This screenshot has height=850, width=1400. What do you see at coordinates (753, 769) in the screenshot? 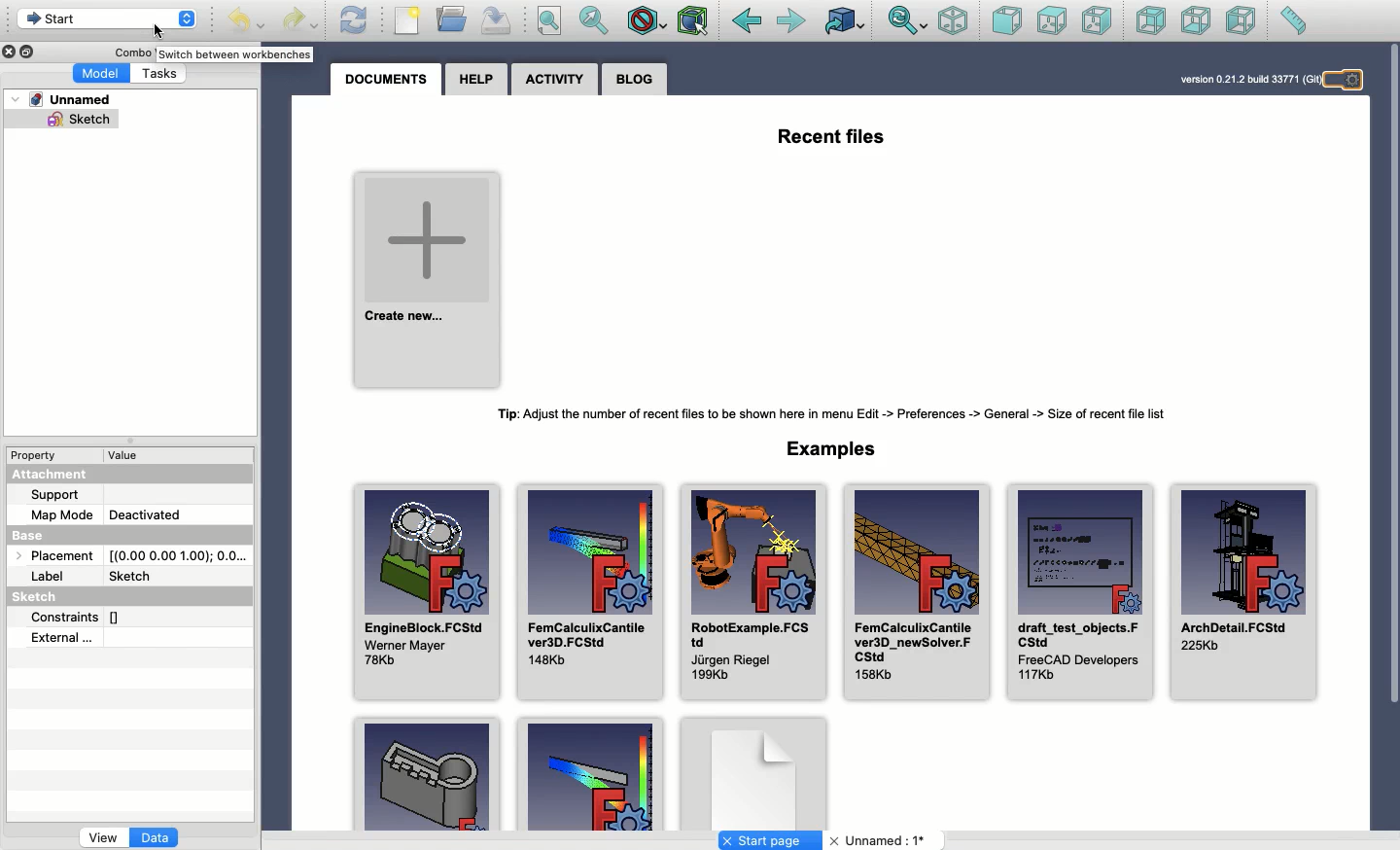
I see `Document` at bounding box center [753, 769].